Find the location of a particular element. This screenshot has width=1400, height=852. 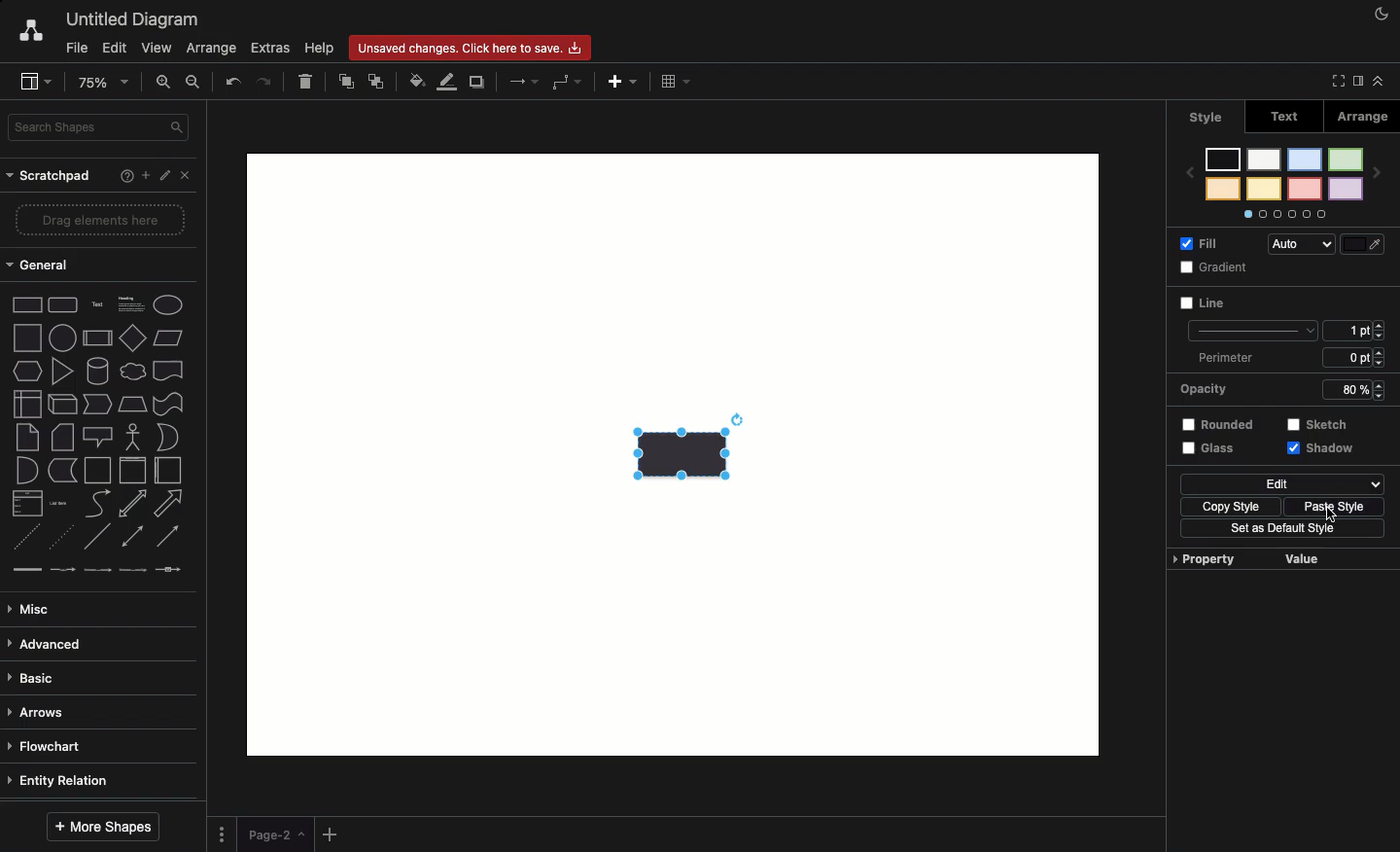

list item is located at coordinates (60, 502).